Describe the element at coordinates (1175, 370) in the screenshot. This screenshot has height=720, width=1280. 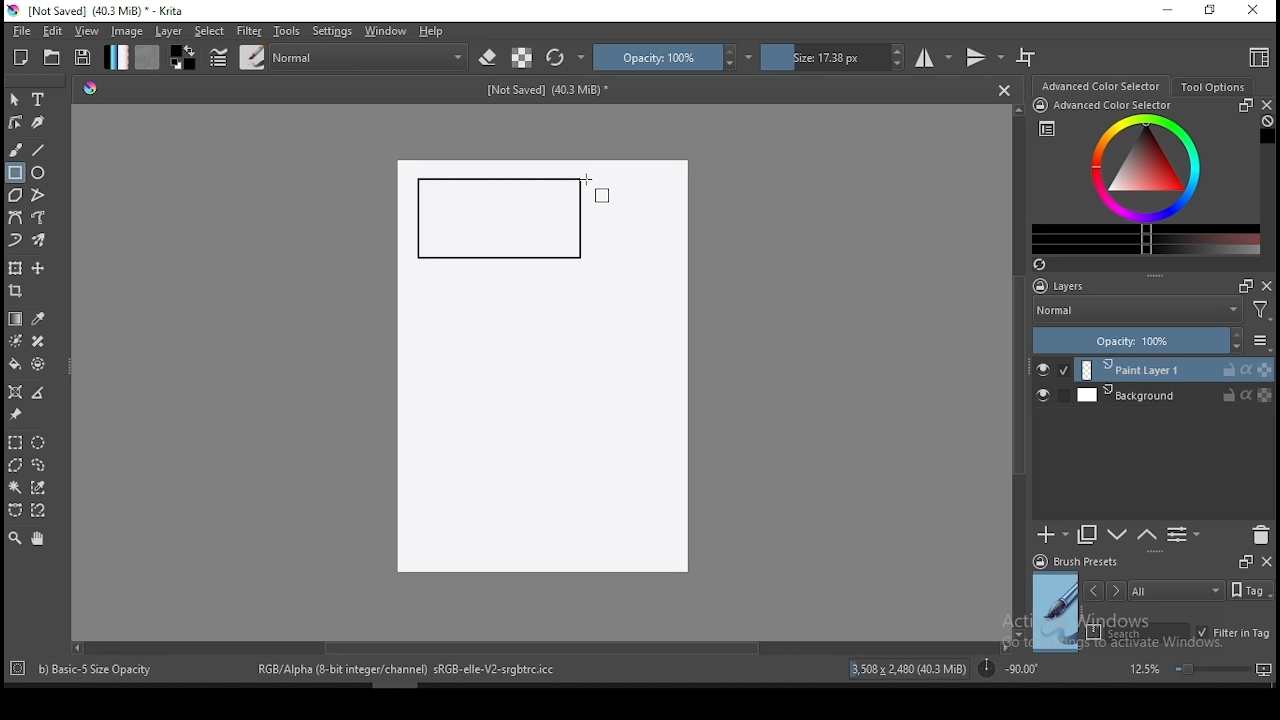
I see `layer` at that location.